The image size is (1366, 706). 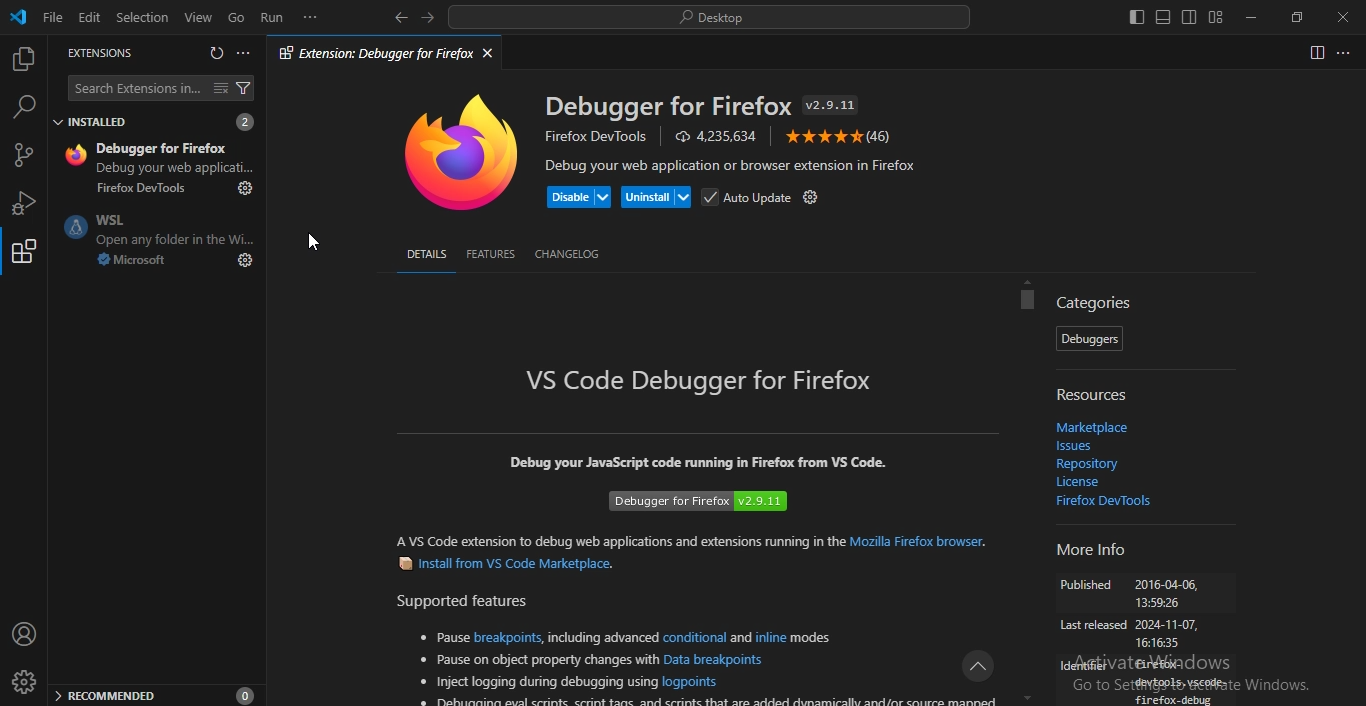 I want to click on vscode icon, so click(x=18, y=17).